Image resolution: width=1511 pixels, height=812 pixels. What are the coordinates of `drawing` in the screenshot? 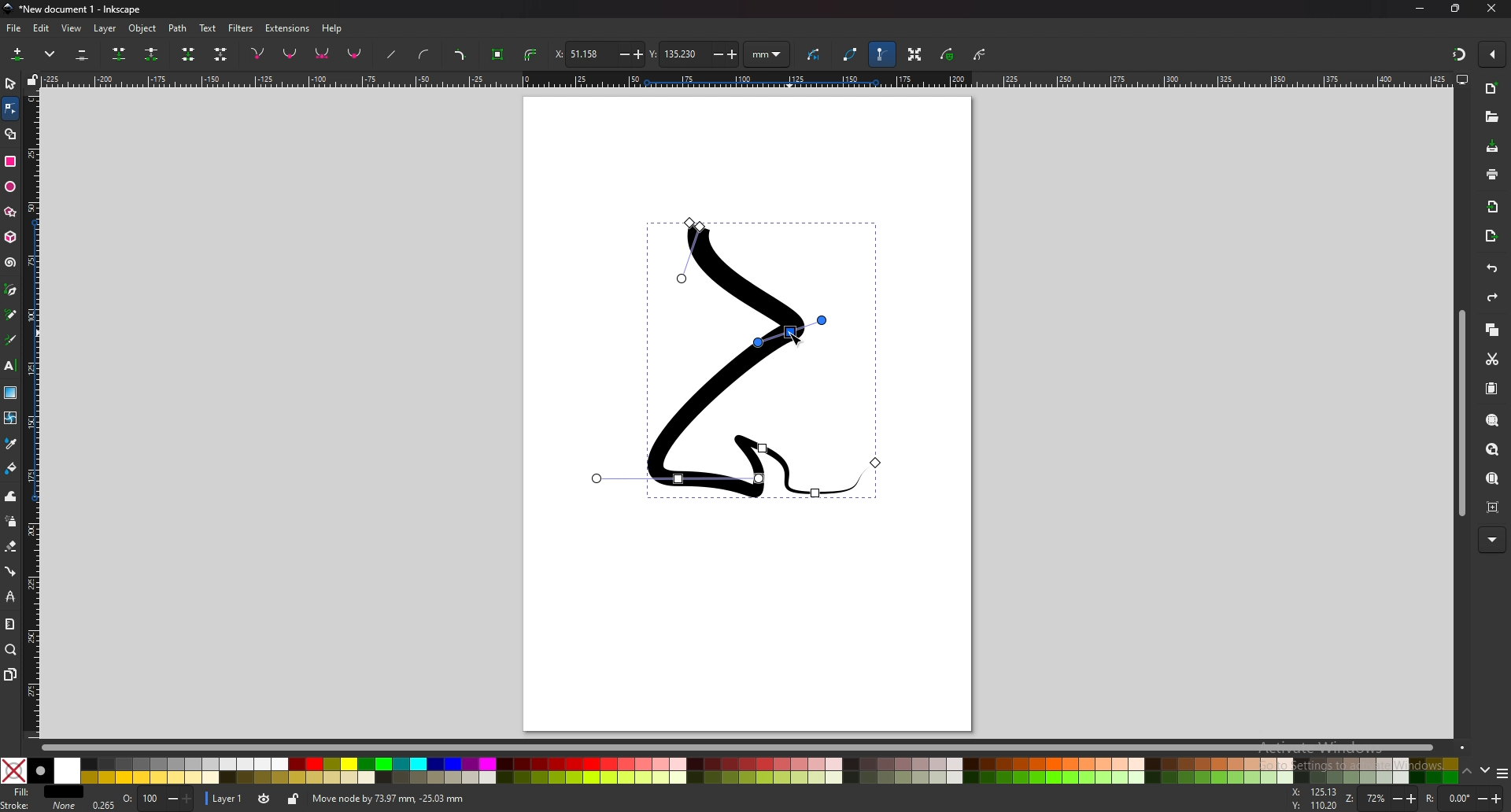 It's located at (733, 359).